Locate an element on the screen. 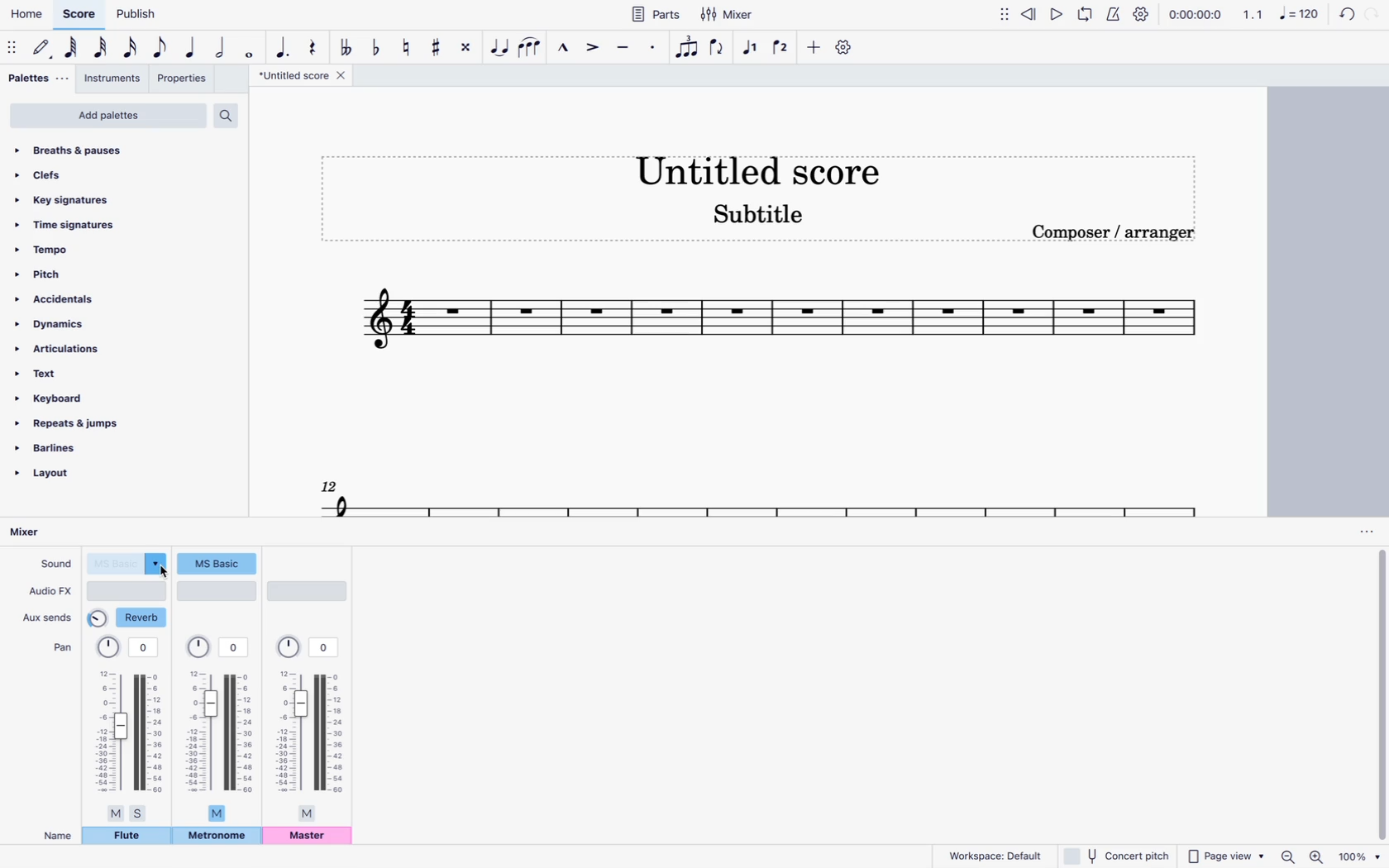 The height and width of the screenshot is (868, 1389). play is located at coordinates (1058, 13).